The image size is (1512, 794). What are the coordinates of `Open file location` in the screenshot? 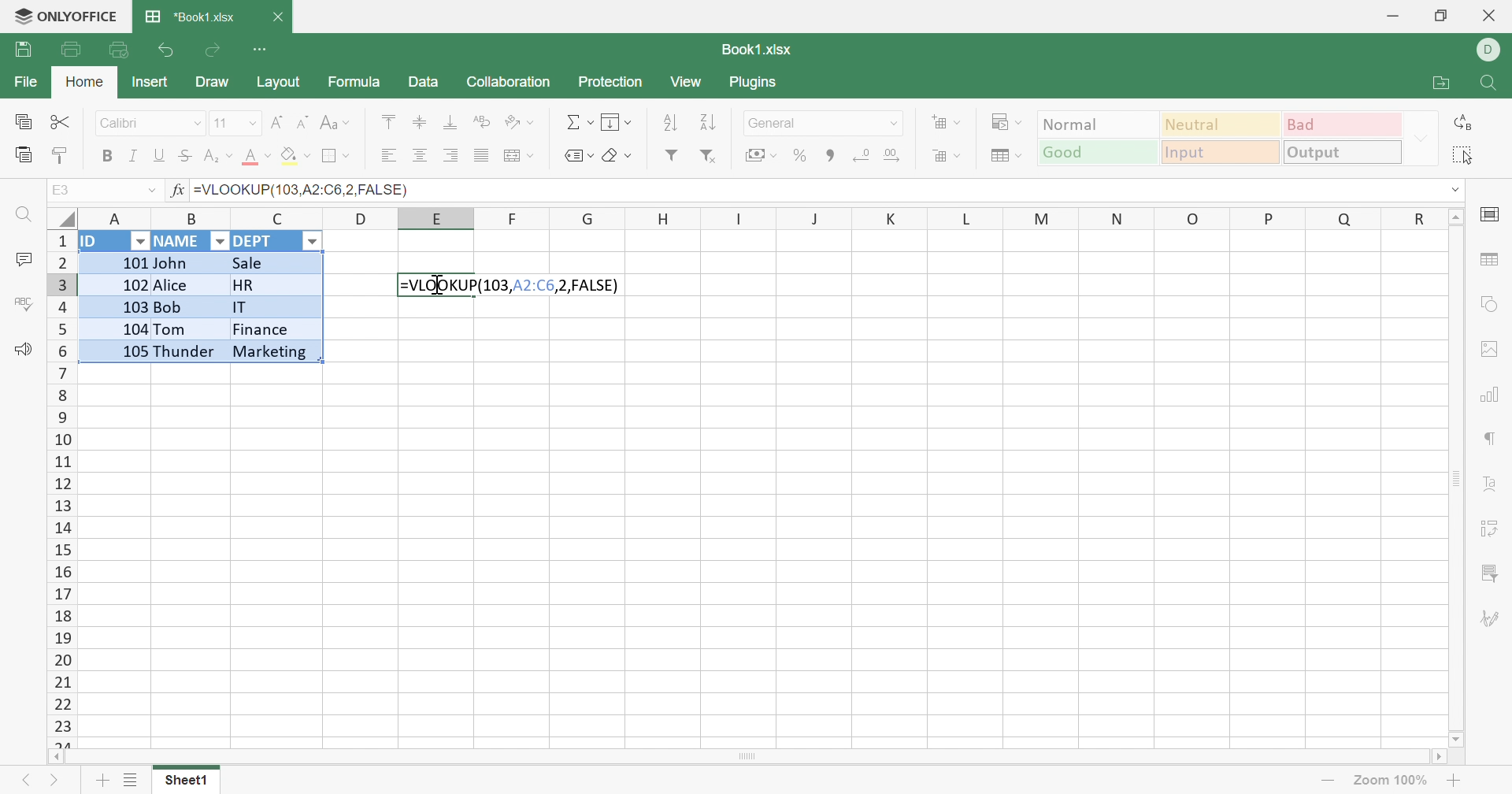 It's located at (1434, 85).